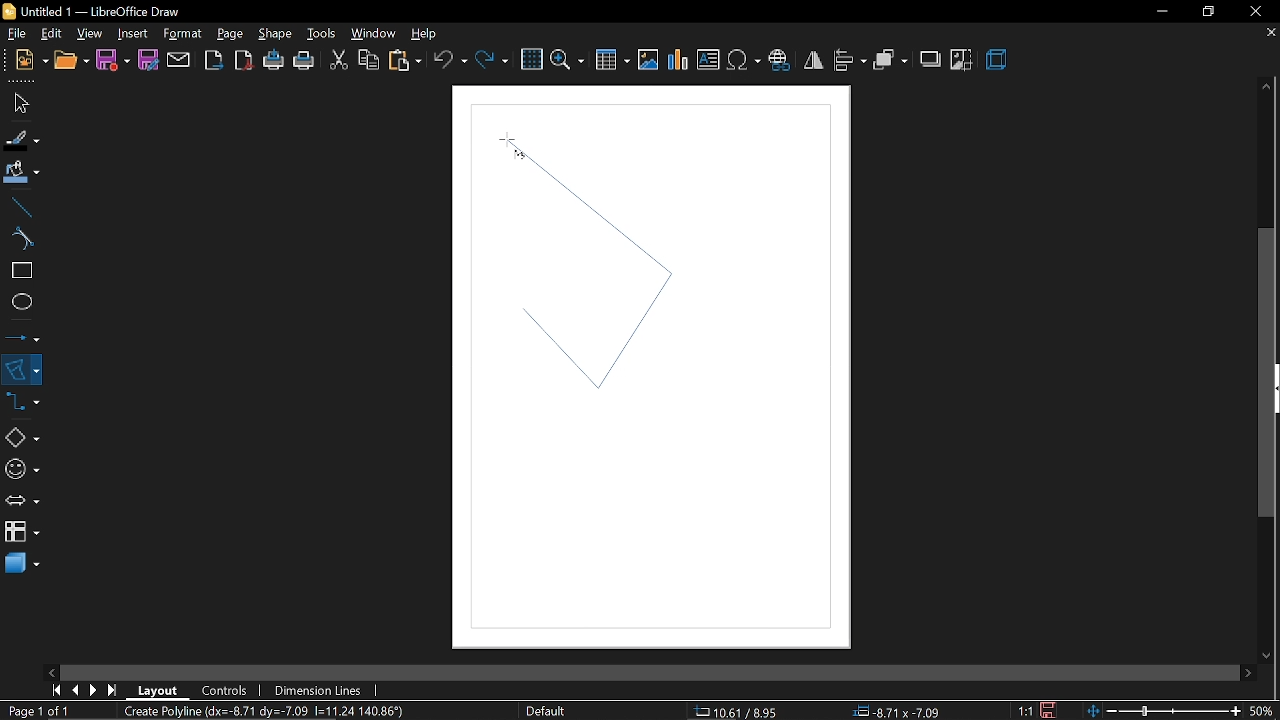 The image size is (1280, 720). What do you see at coordinates (21, 469) in the screenshot?
I see `symbol shapes` at bounding box center [21, 469].